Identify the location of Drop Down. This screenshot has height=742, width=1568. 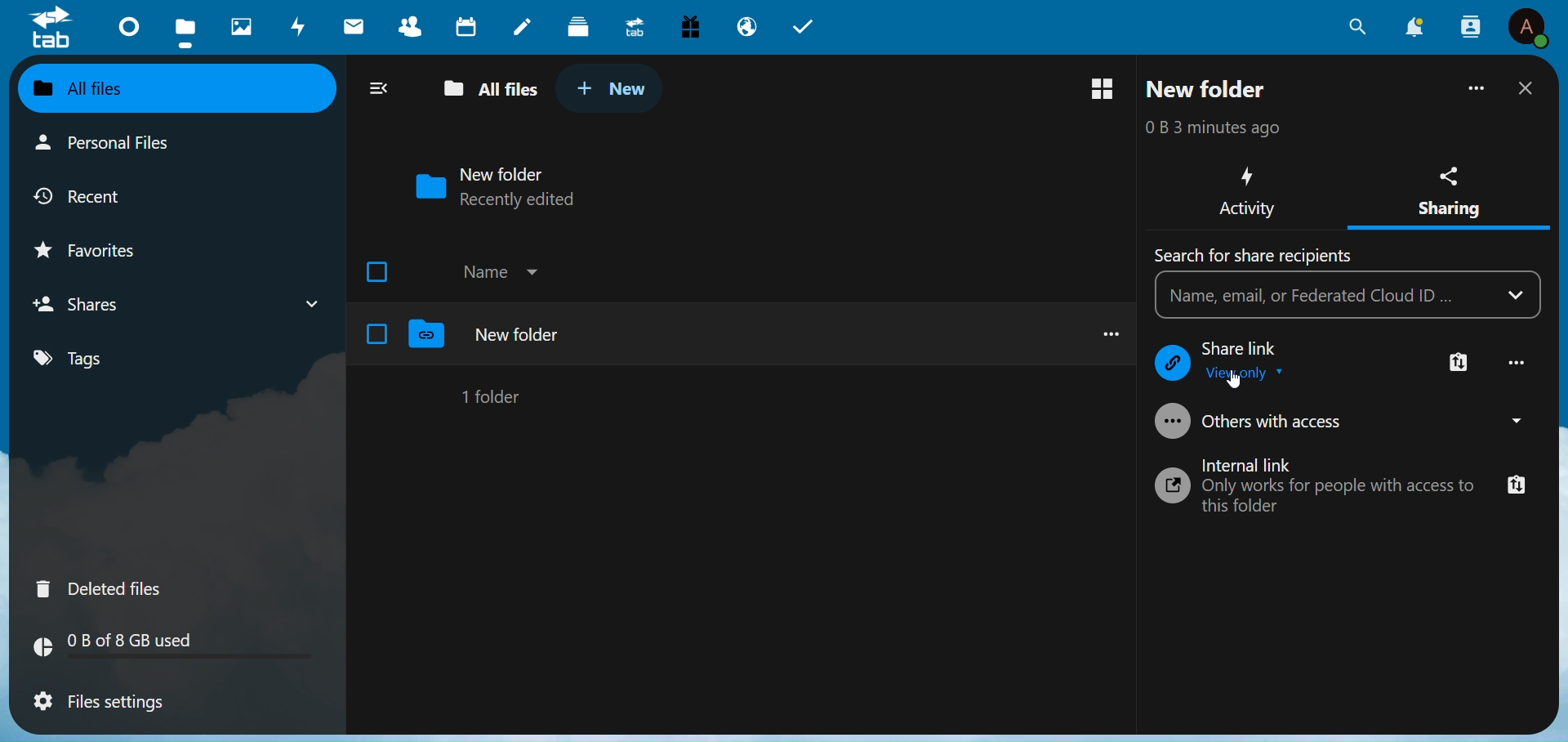
(1521, 294).